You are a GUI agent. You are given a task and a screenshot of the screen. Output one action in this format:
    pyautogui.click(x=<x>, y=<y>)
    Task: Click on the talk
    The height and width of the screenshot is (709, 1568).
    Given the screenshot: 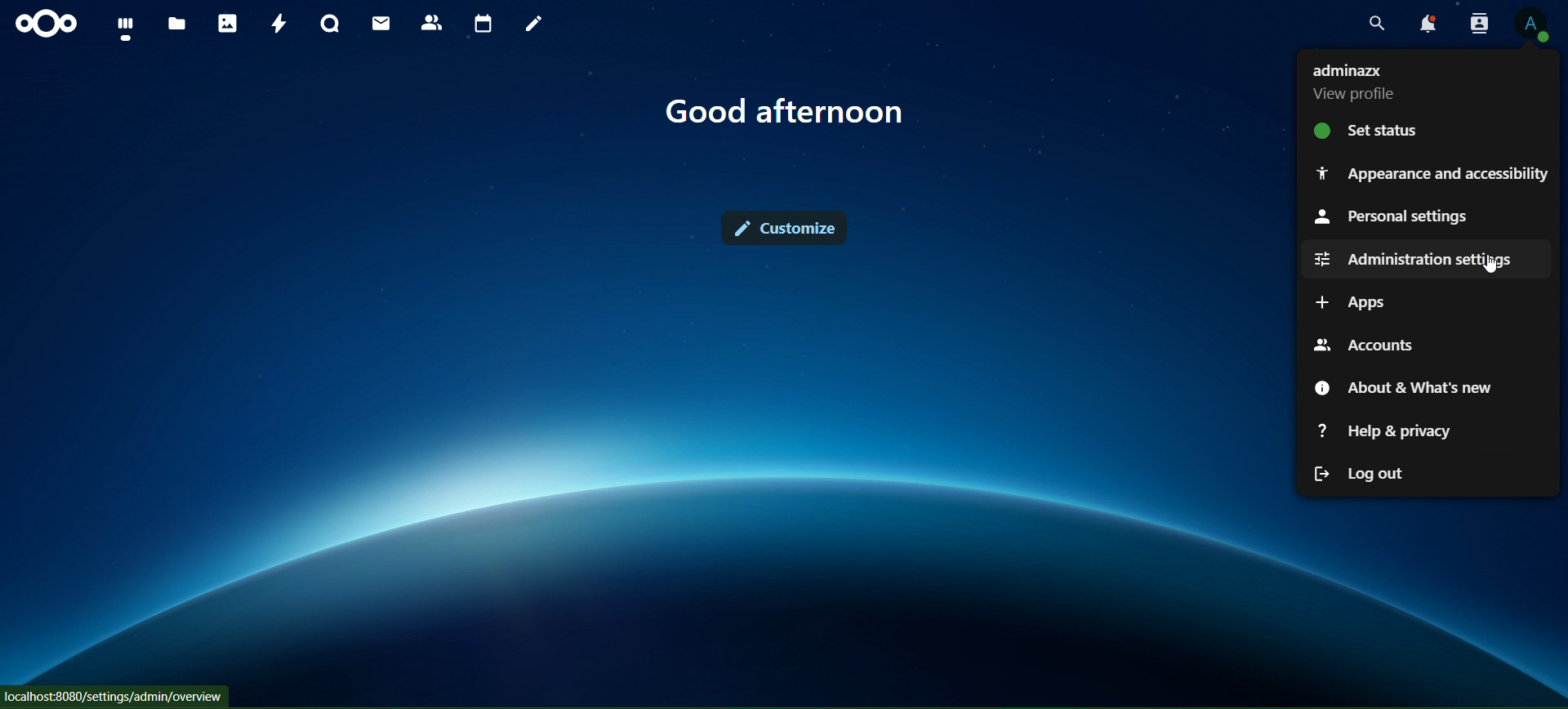 What is the action you would take?
    pyautogui.click(x=330, y=24)
    